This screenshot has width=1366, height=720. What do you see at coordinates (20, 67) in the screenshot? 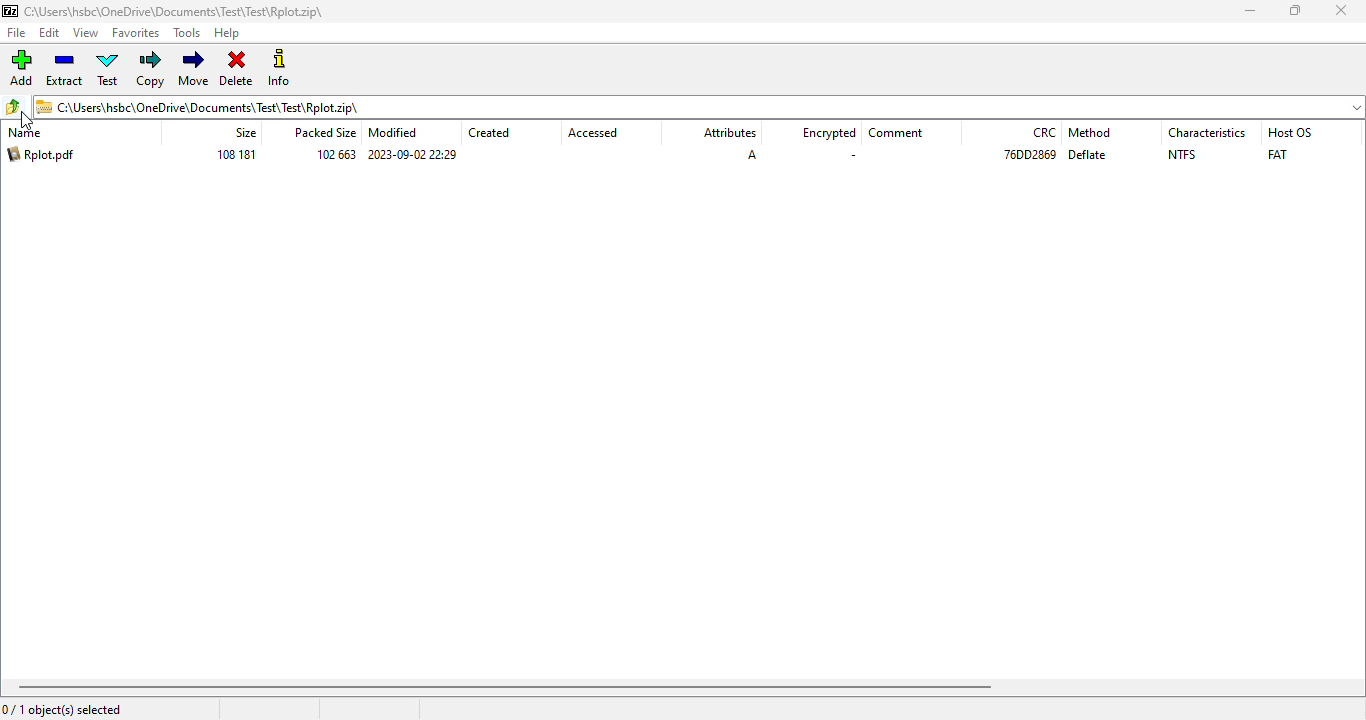
I see `add` at bounding box center [20, 67].